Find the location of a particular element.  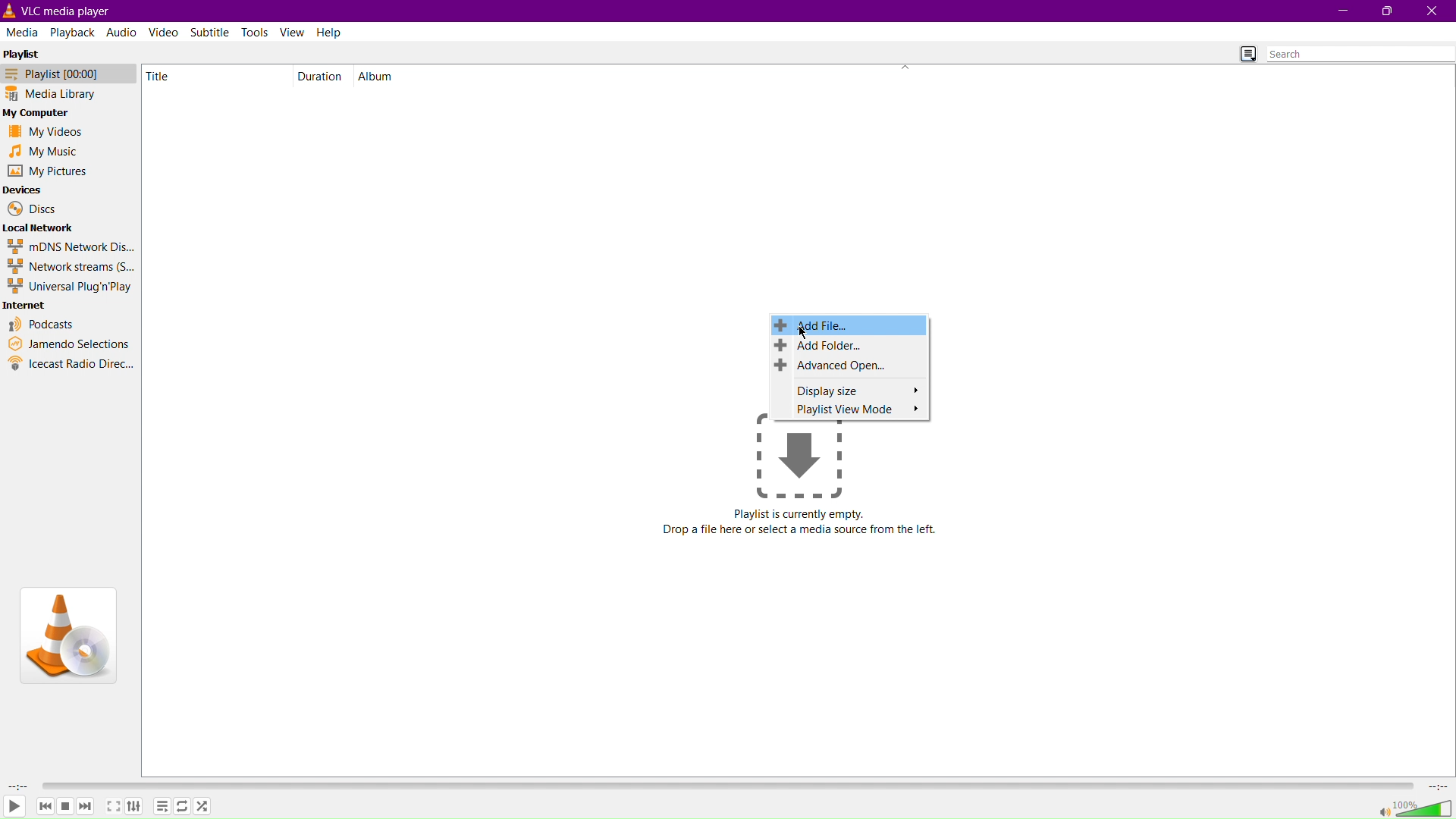

Subtitle is located at coordinates (212, 31).